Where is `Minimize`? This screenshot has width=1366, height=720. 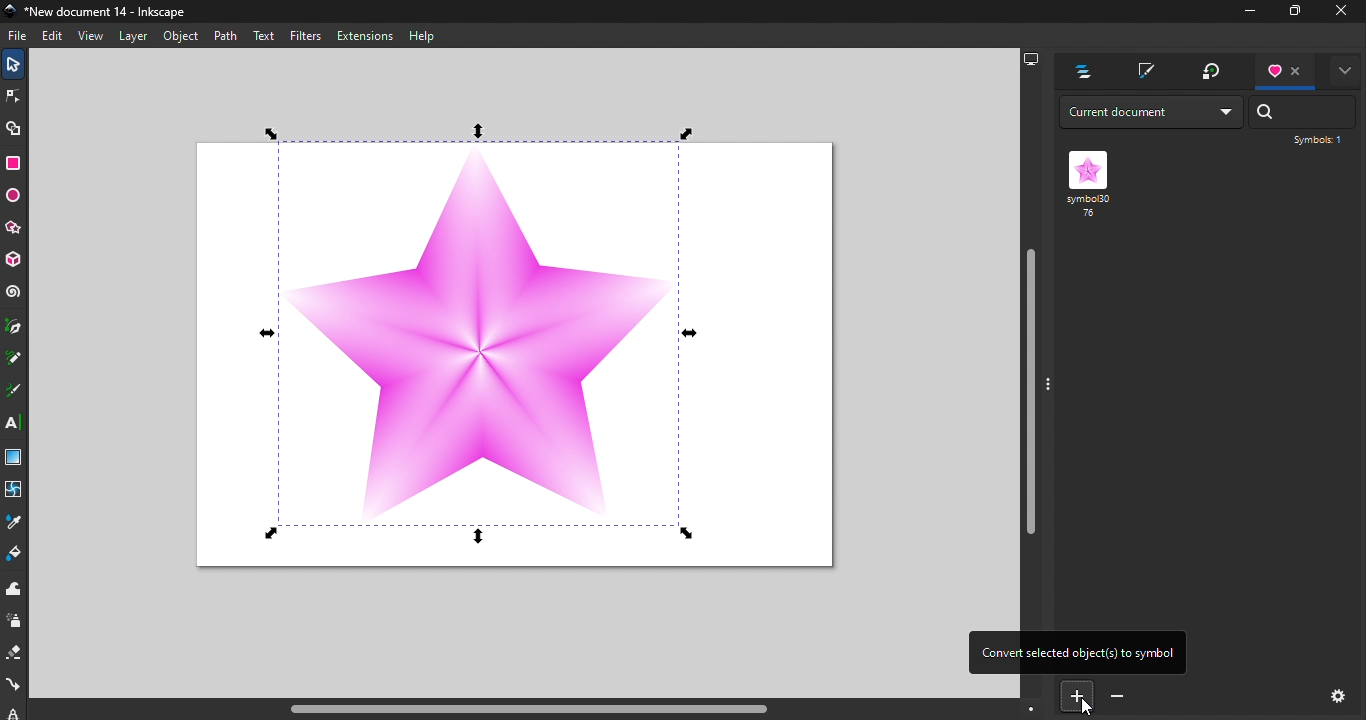
Minimize is located at coordinates (1245, 14).